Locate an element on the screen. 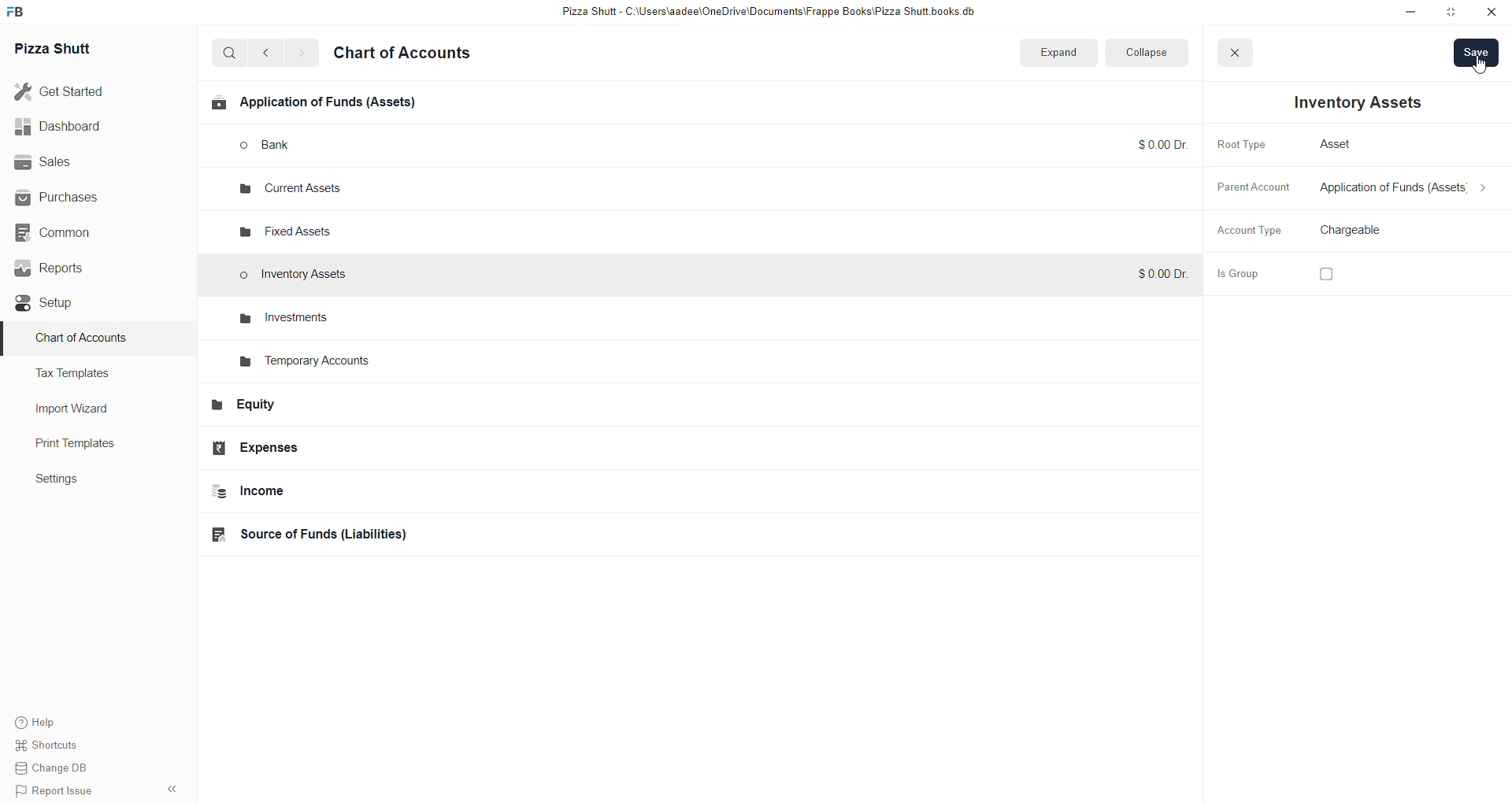 Image resolution: width=1512 pixels, height=803 pixels. Charts of Accounts  is located at coordinates (83, 342).